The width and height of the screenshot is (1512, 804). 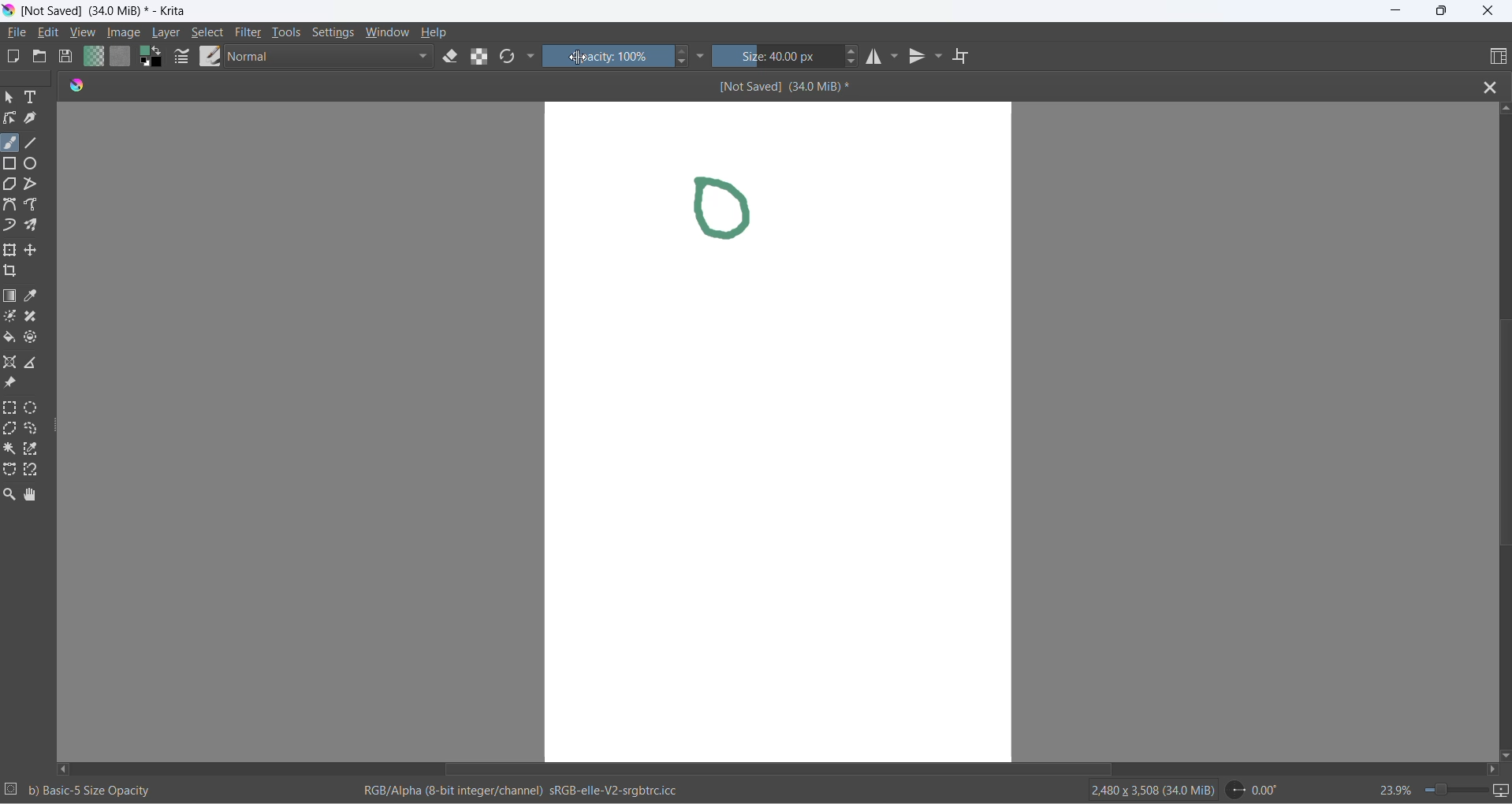 I want to click on transform a layer, so click(x=12, y=251).